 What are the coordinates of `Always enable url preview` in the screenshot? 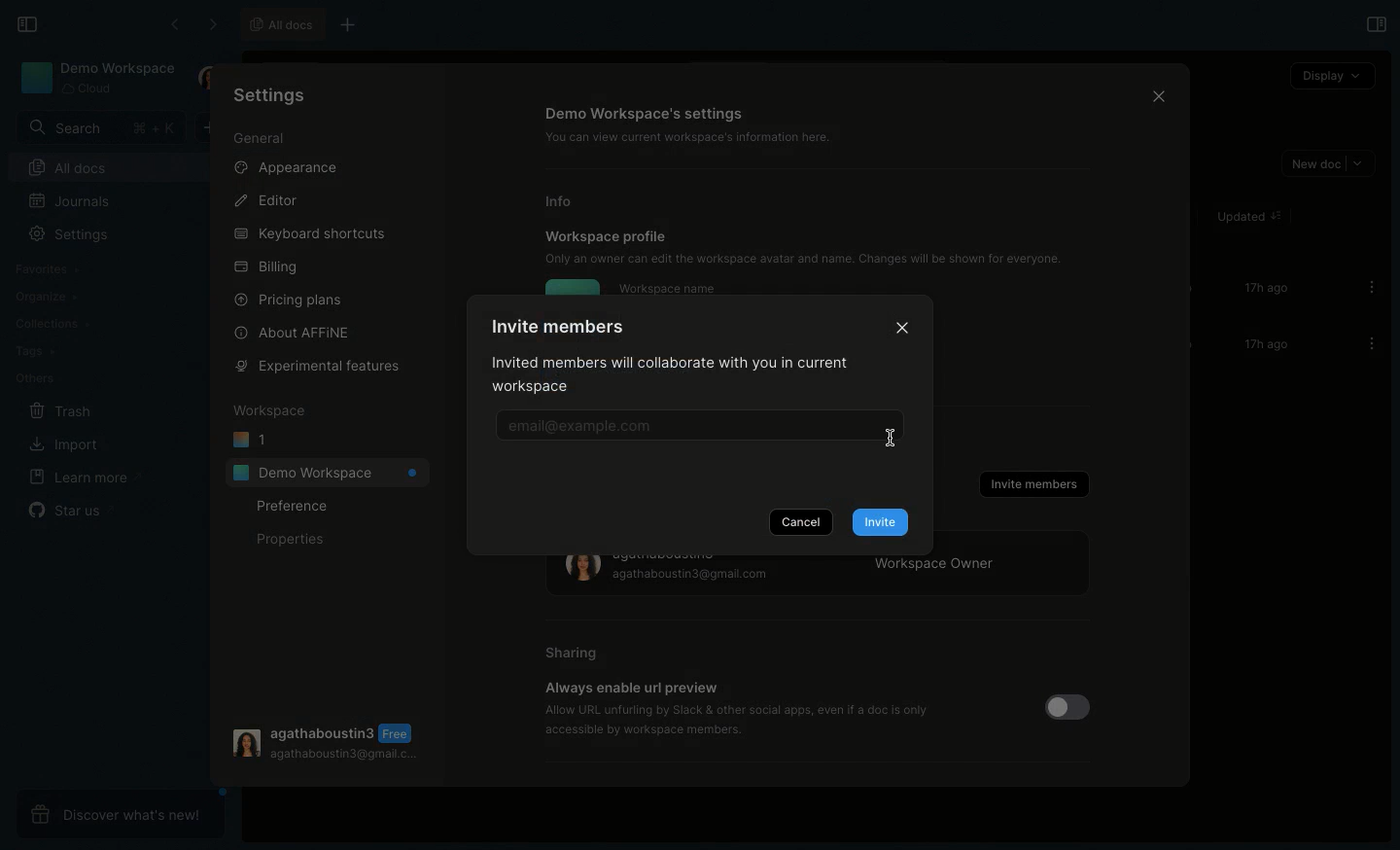 It's located at (631, 688).